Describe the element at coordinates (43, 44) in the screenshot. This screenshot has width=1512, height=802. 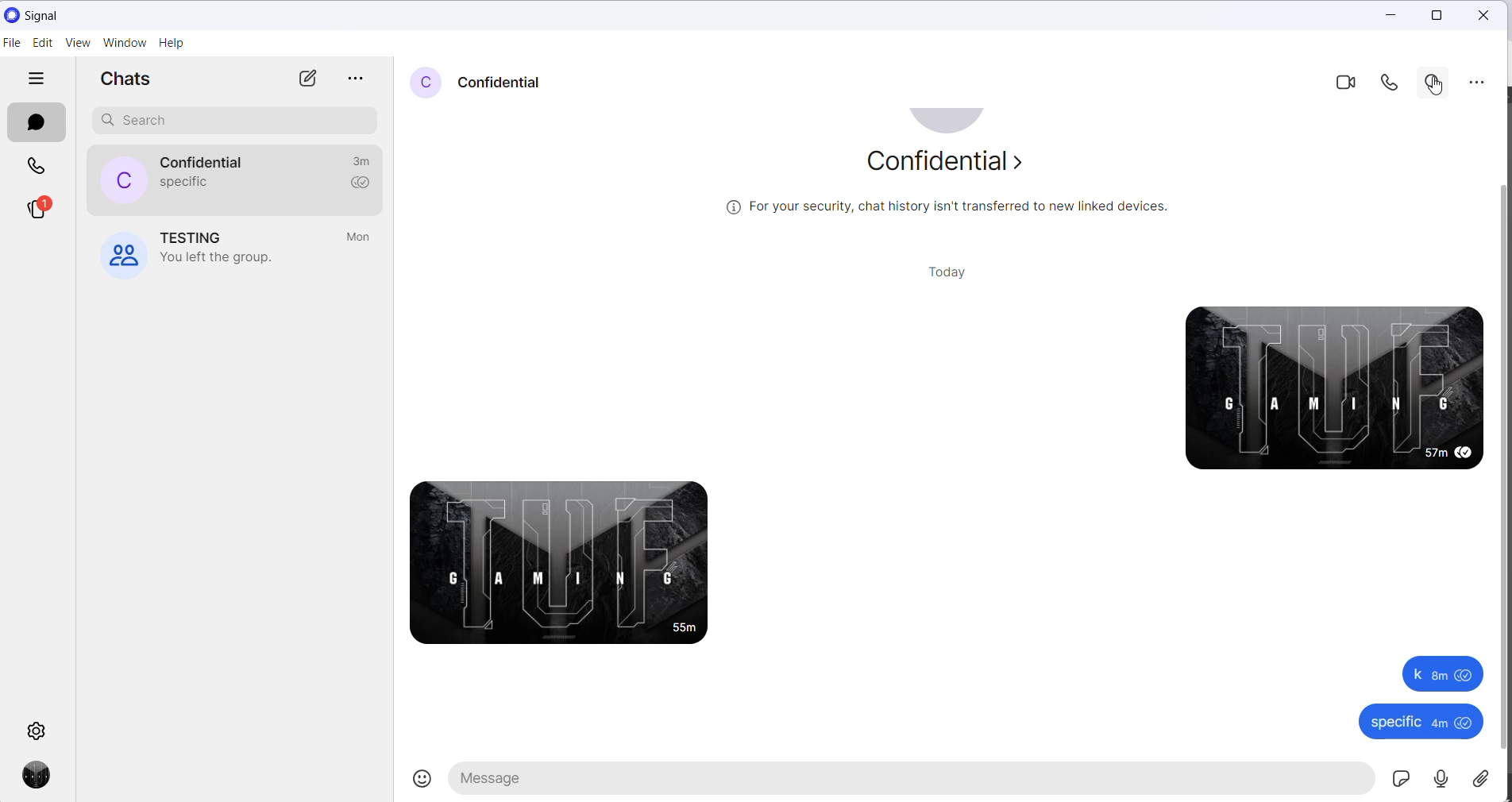
I see `edit` at that location.